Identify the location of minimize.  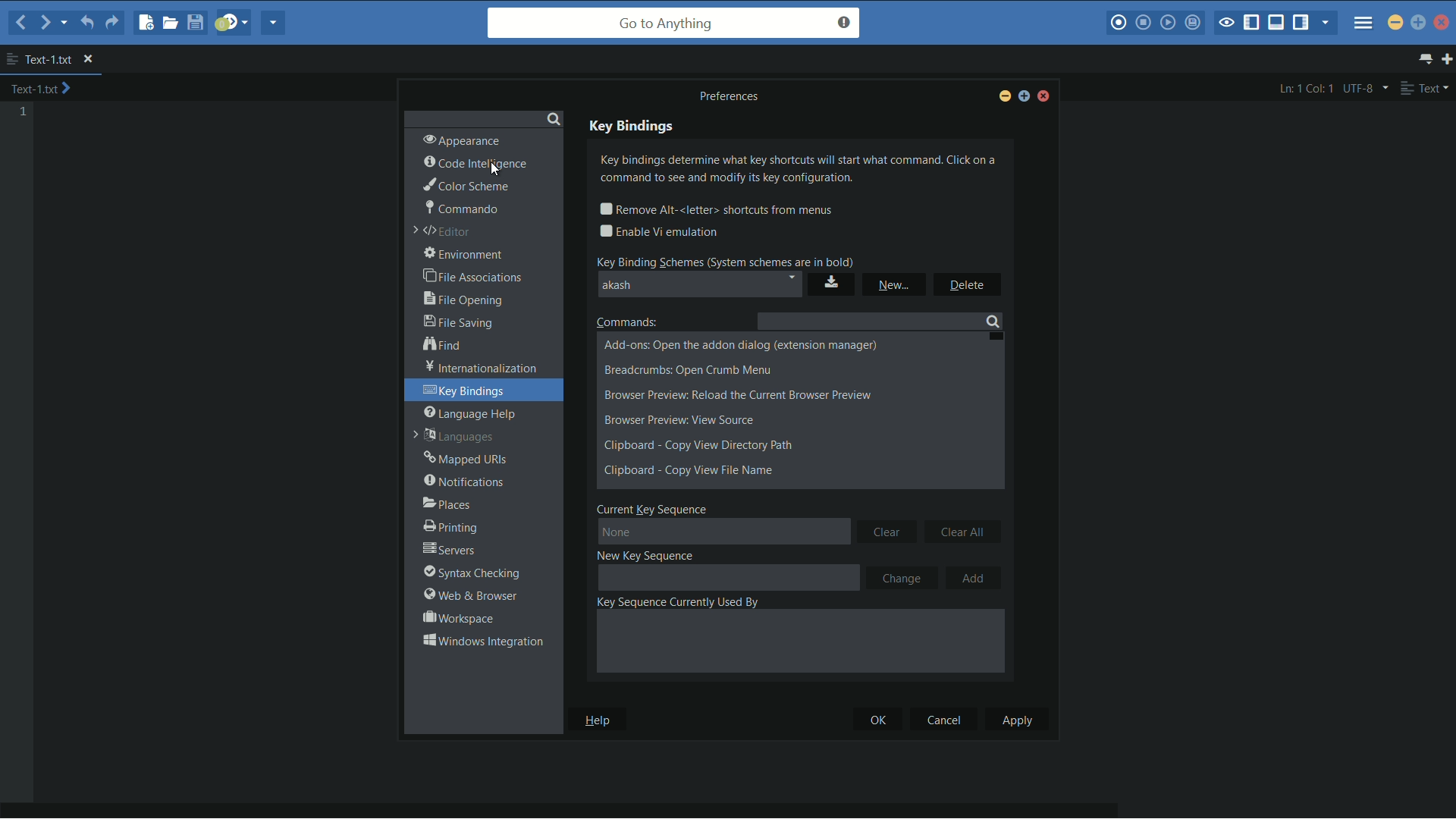
(1395, 21).